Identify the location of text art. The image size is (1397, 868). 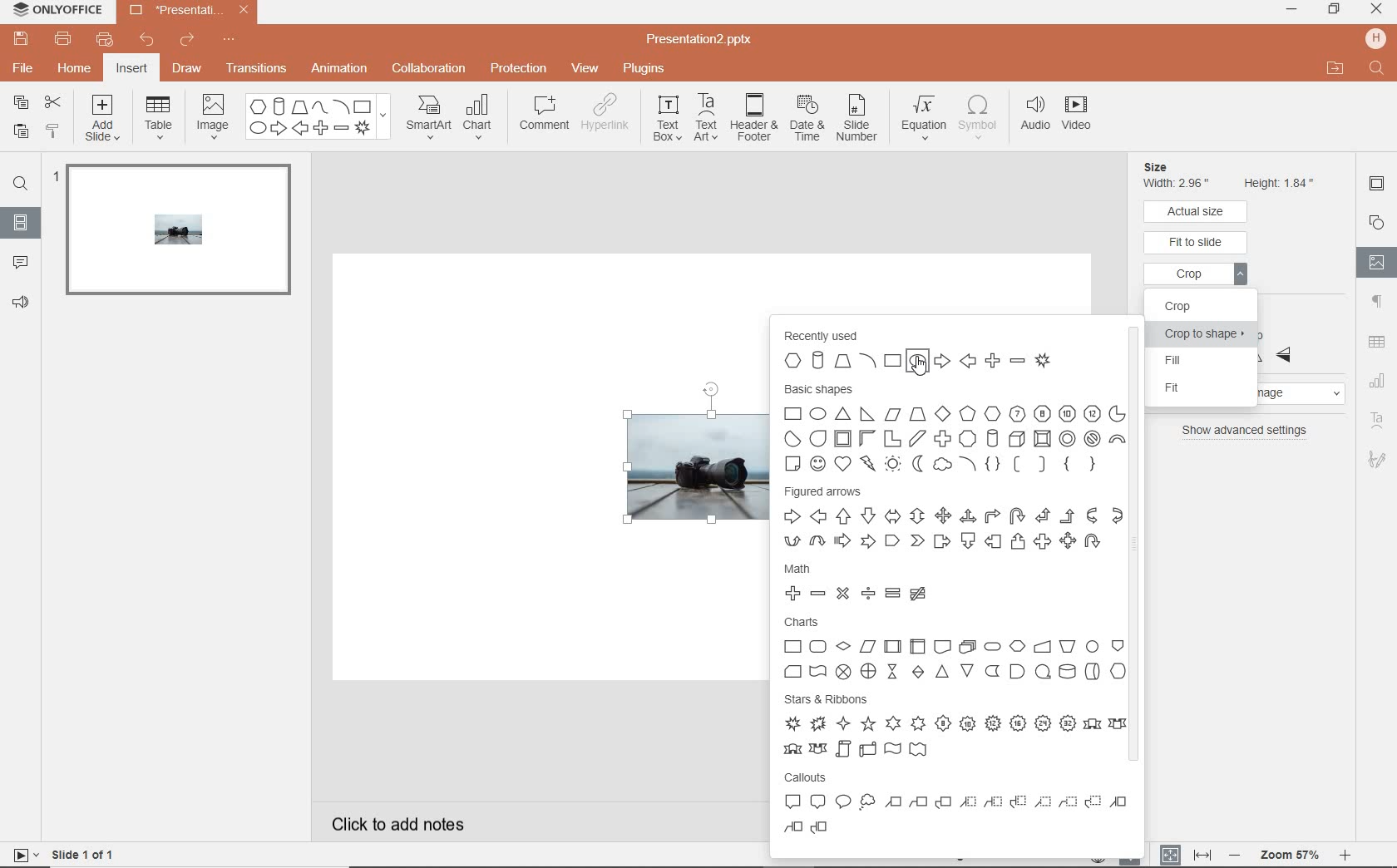
(706, 120).